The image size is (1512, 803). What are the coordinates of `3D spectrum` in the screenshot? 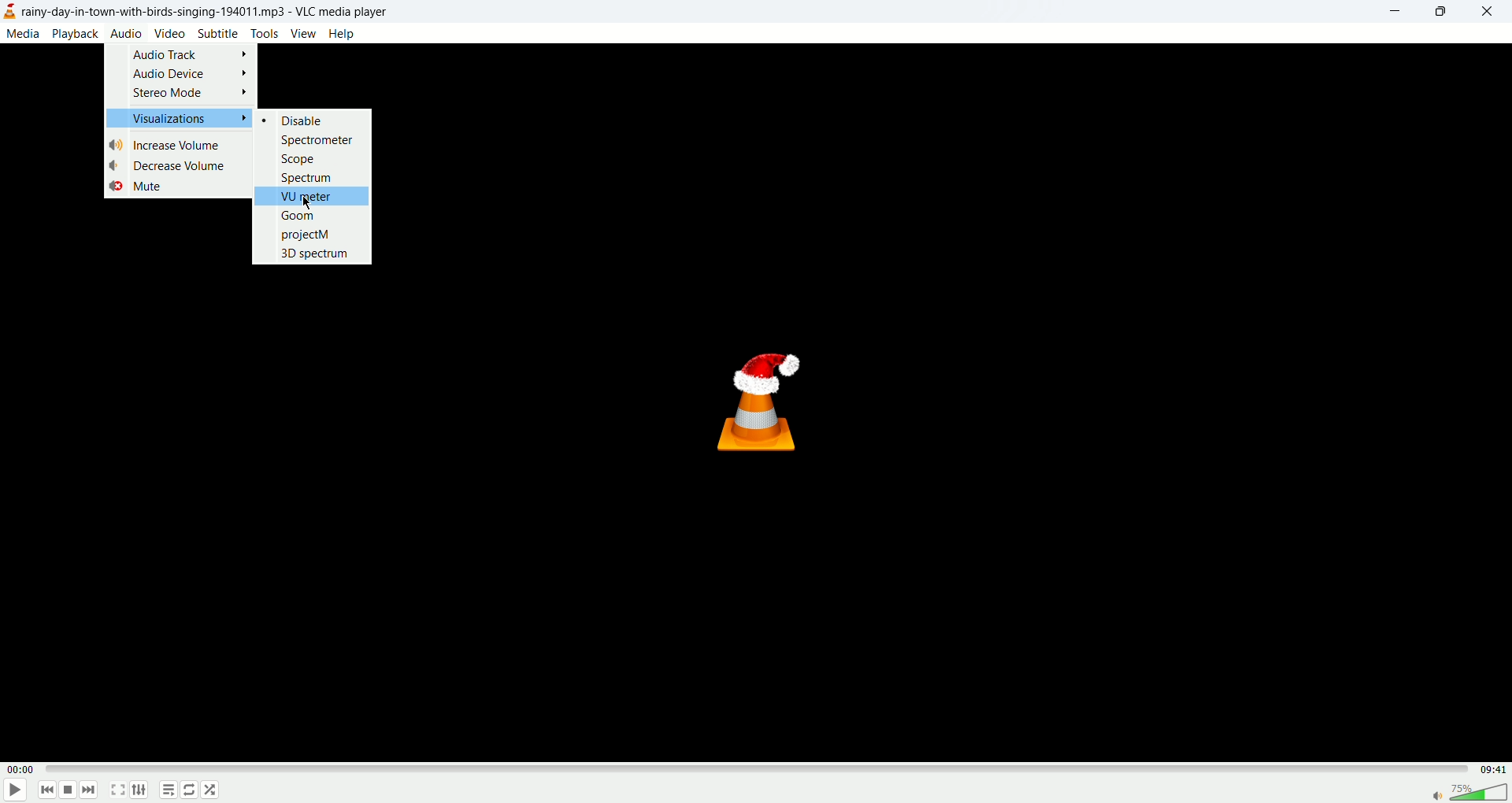 It's located at (316, 255).